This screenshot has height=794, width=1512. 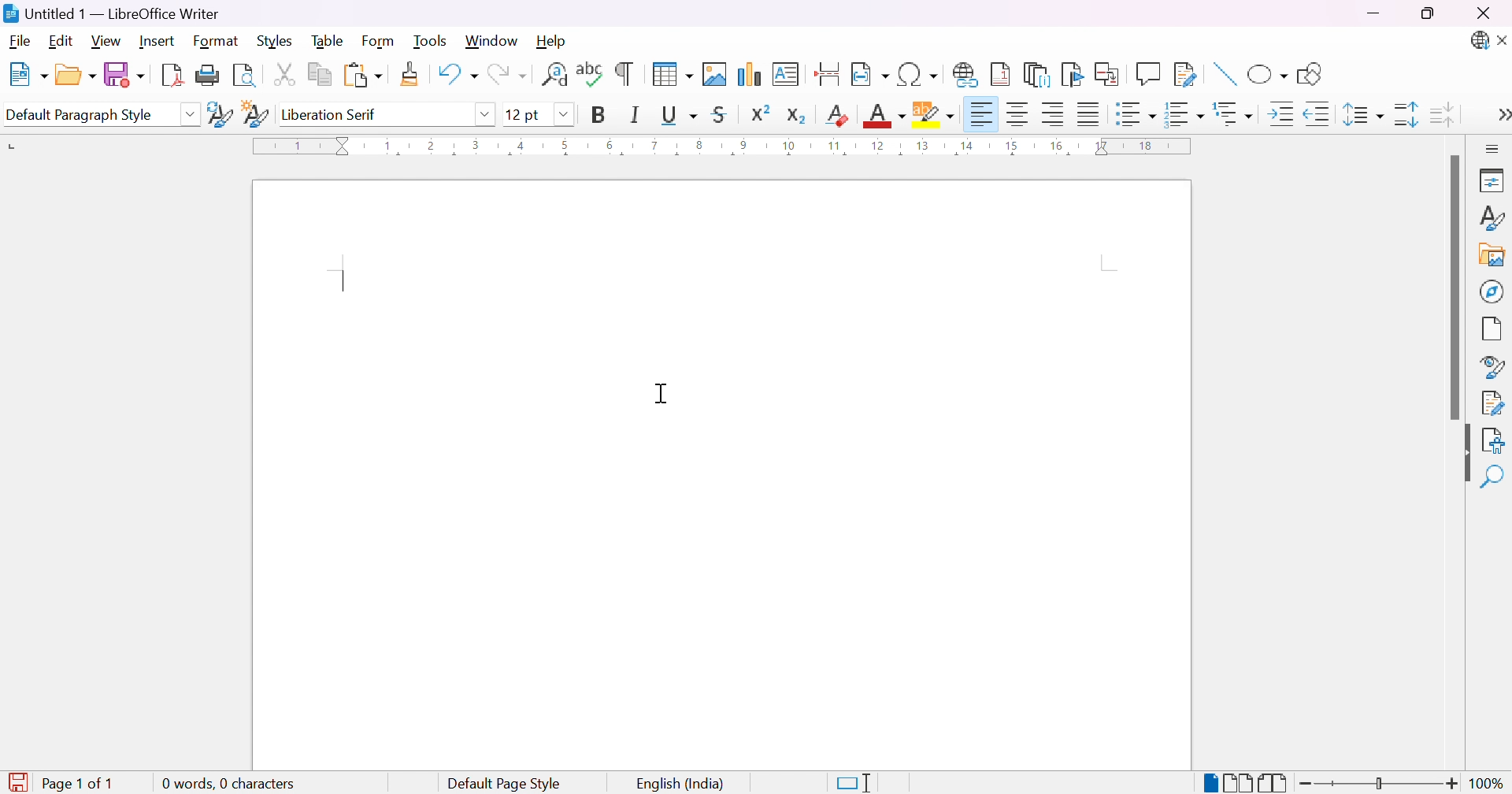 What do you see at coordinates (1493, 402) in the screenshot?
I see `Manage check` at bounding box center [1493, 402].